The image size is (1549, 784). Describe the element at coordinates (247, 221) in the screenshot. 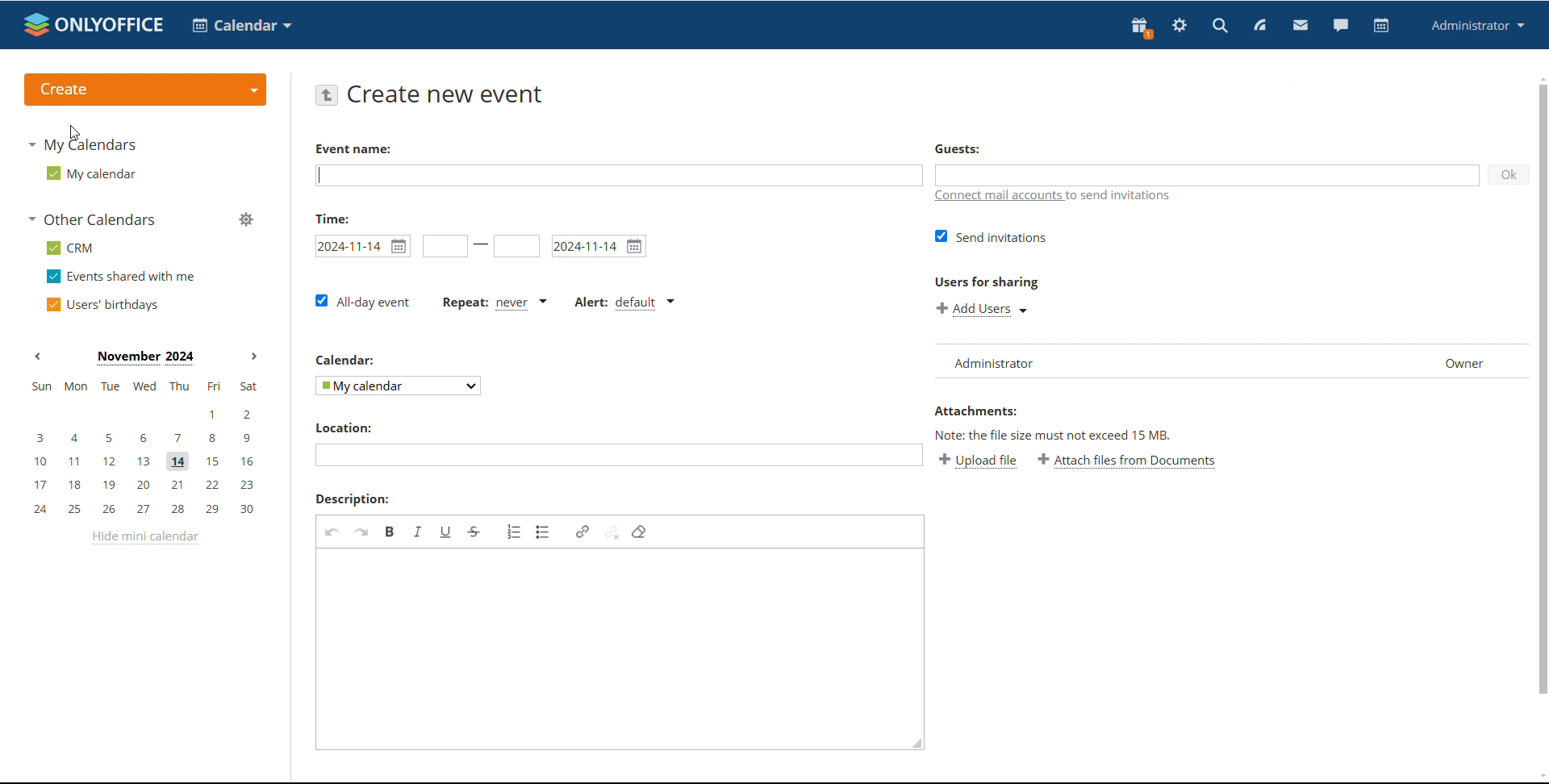

I see `manage` at that location.